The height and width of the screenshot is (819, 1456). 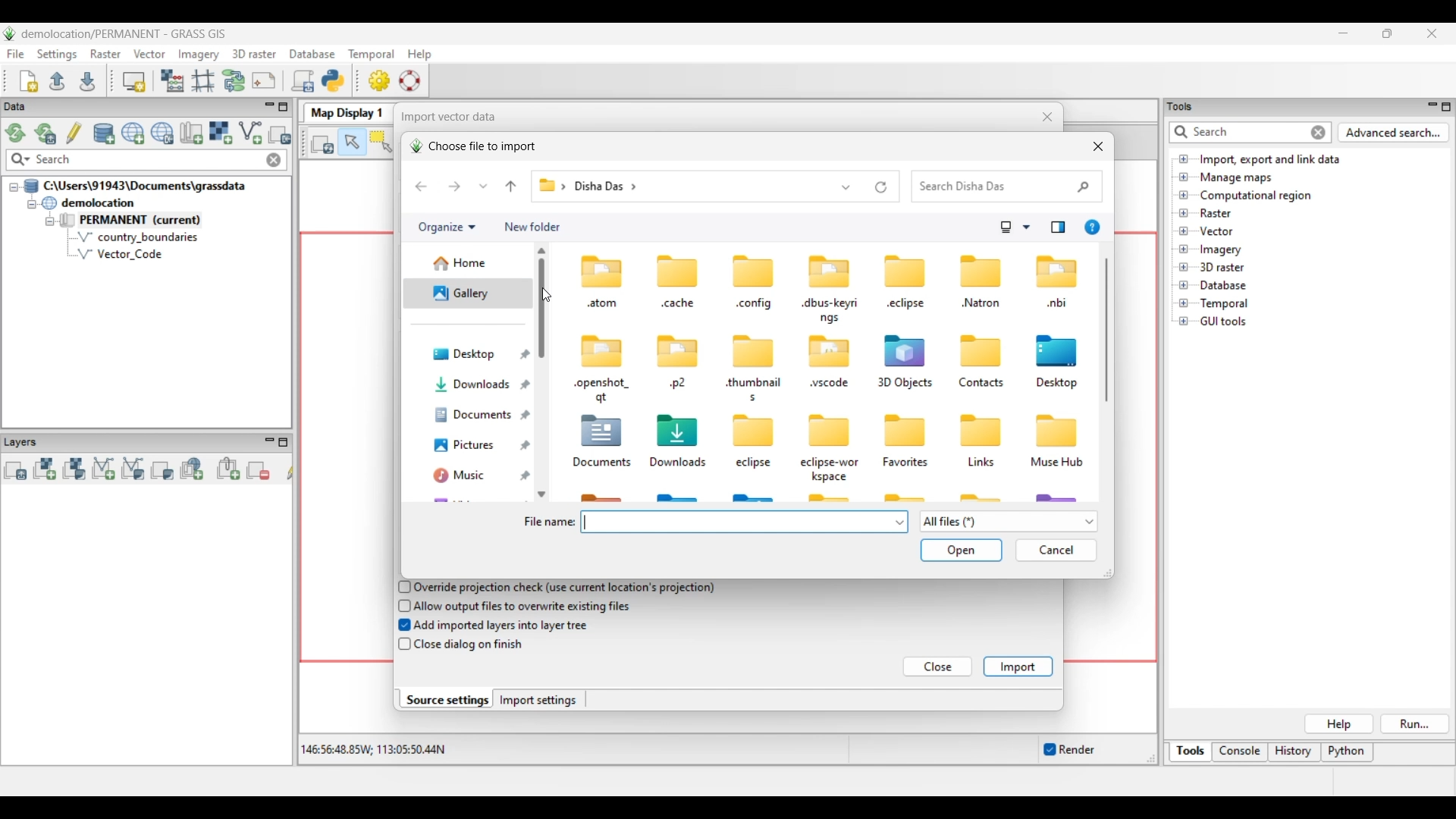 I want to click on Double click to see files under 3D raster, so click(x=1222, y=267).